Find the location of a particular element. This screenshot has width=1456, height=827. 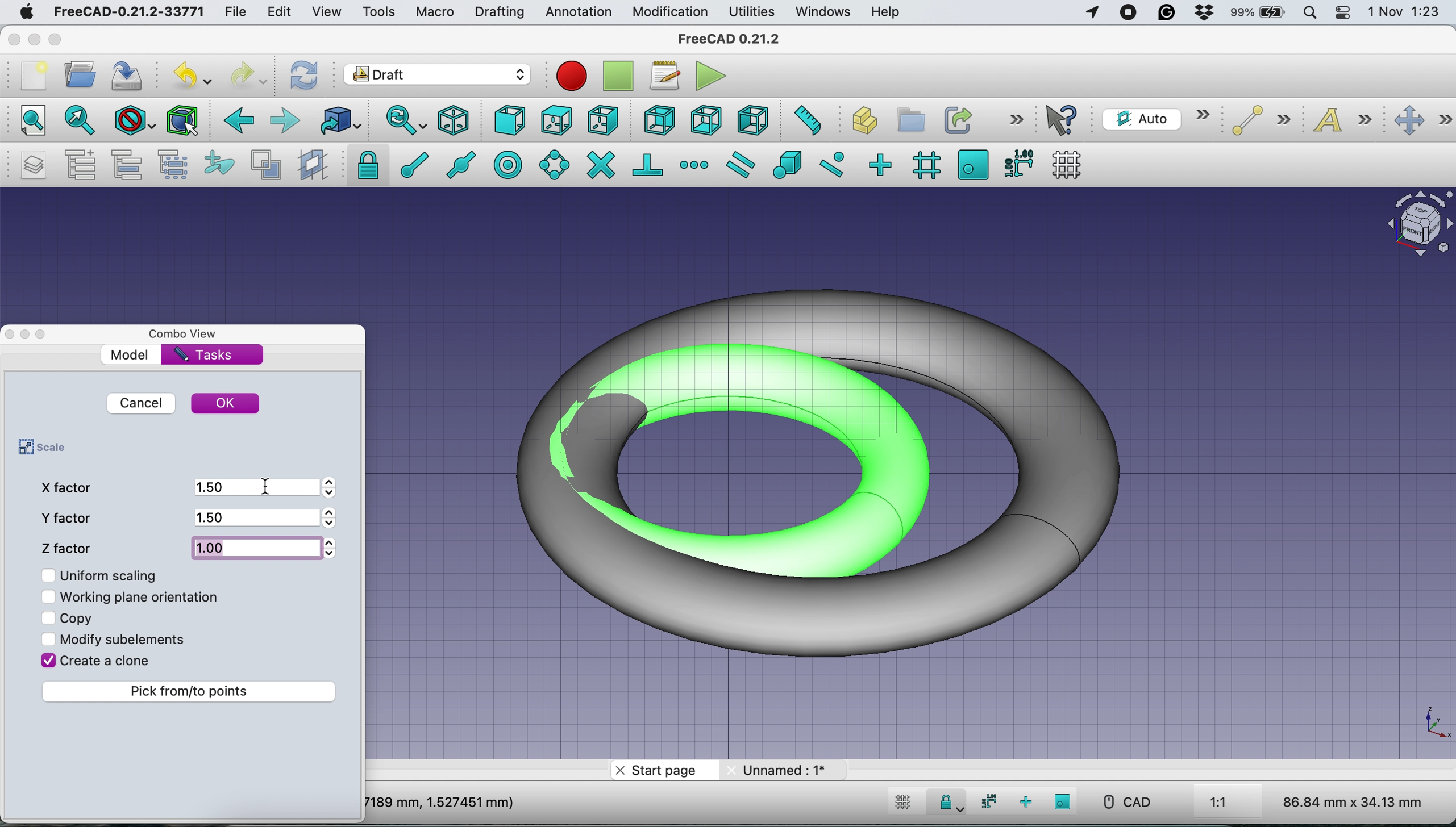

x factor is located at coordinates (69, 487).